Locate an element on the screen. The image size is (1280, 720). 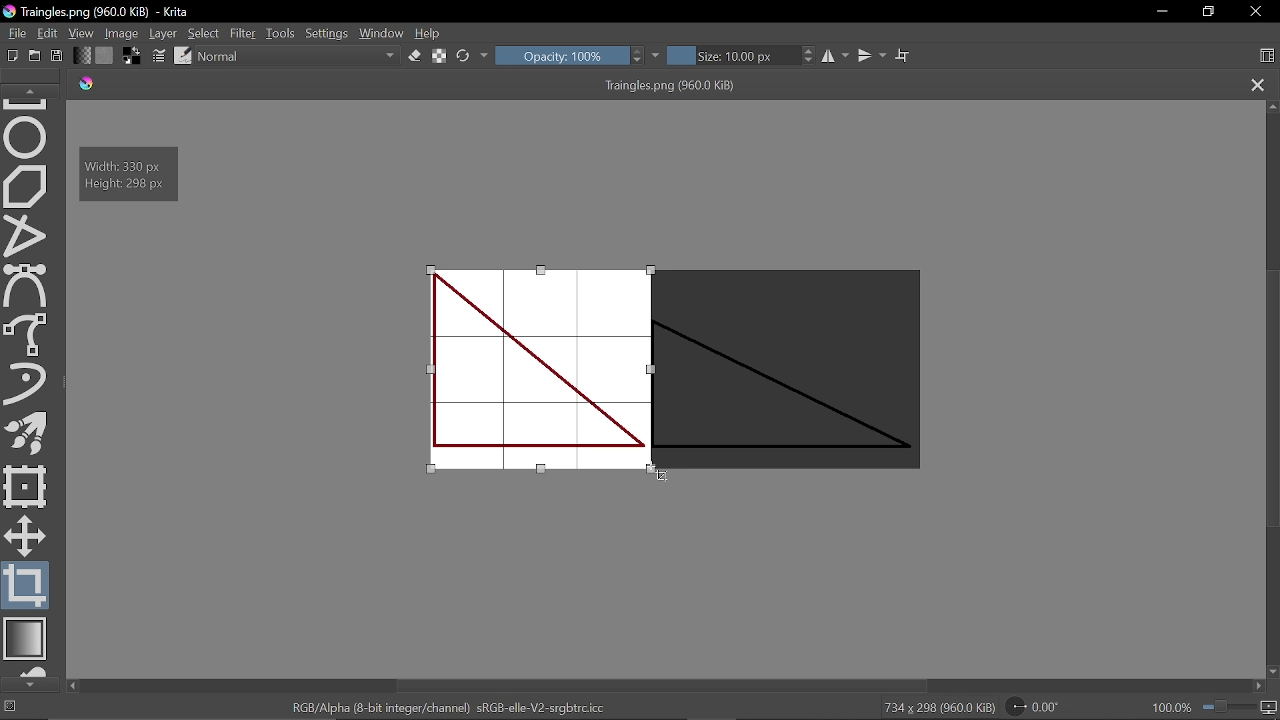
File is located at coordinates (14, 32).